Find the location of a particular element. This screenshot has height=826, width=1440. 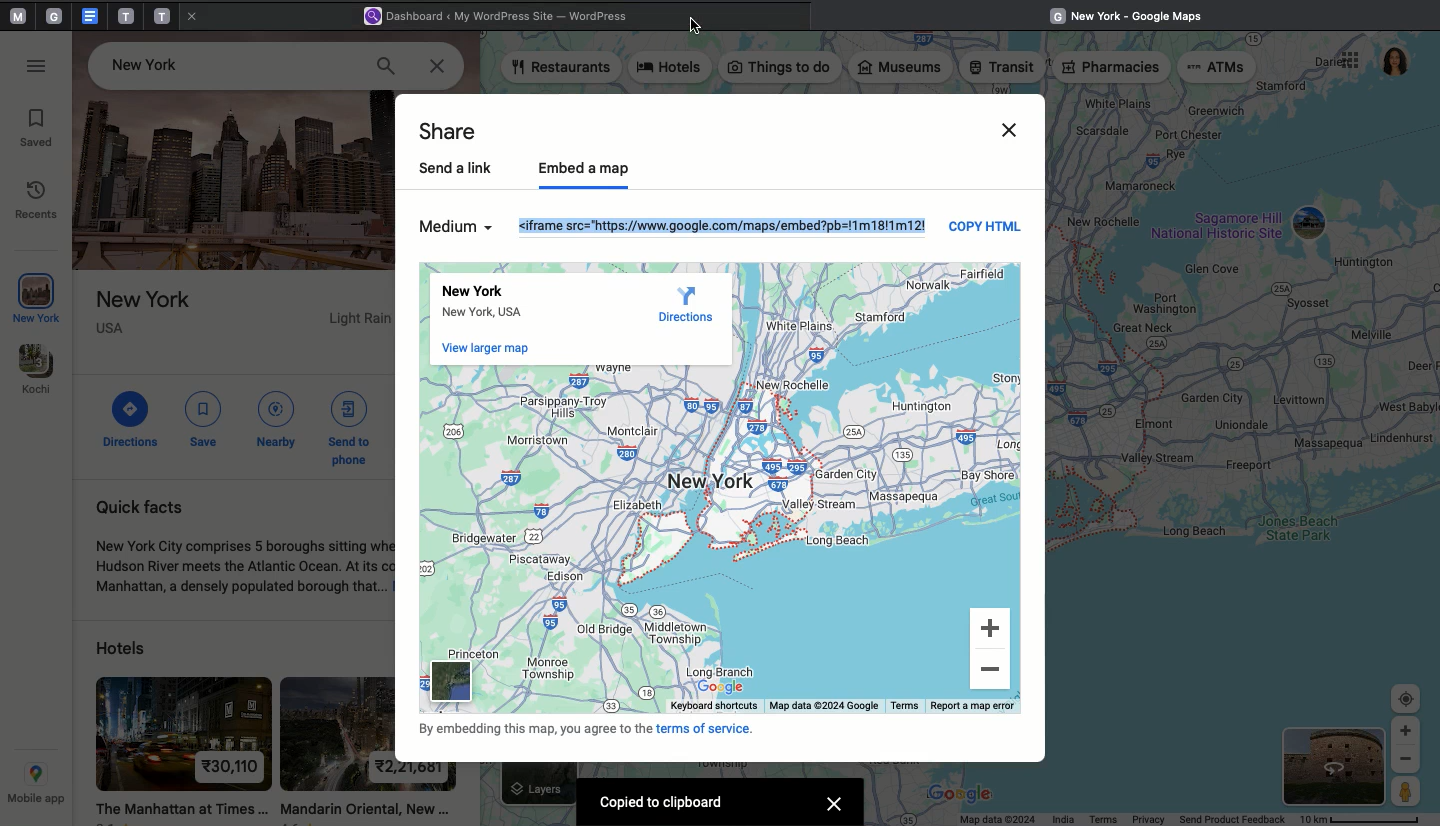

copied to clipboard is located at coordinates (669, 804).